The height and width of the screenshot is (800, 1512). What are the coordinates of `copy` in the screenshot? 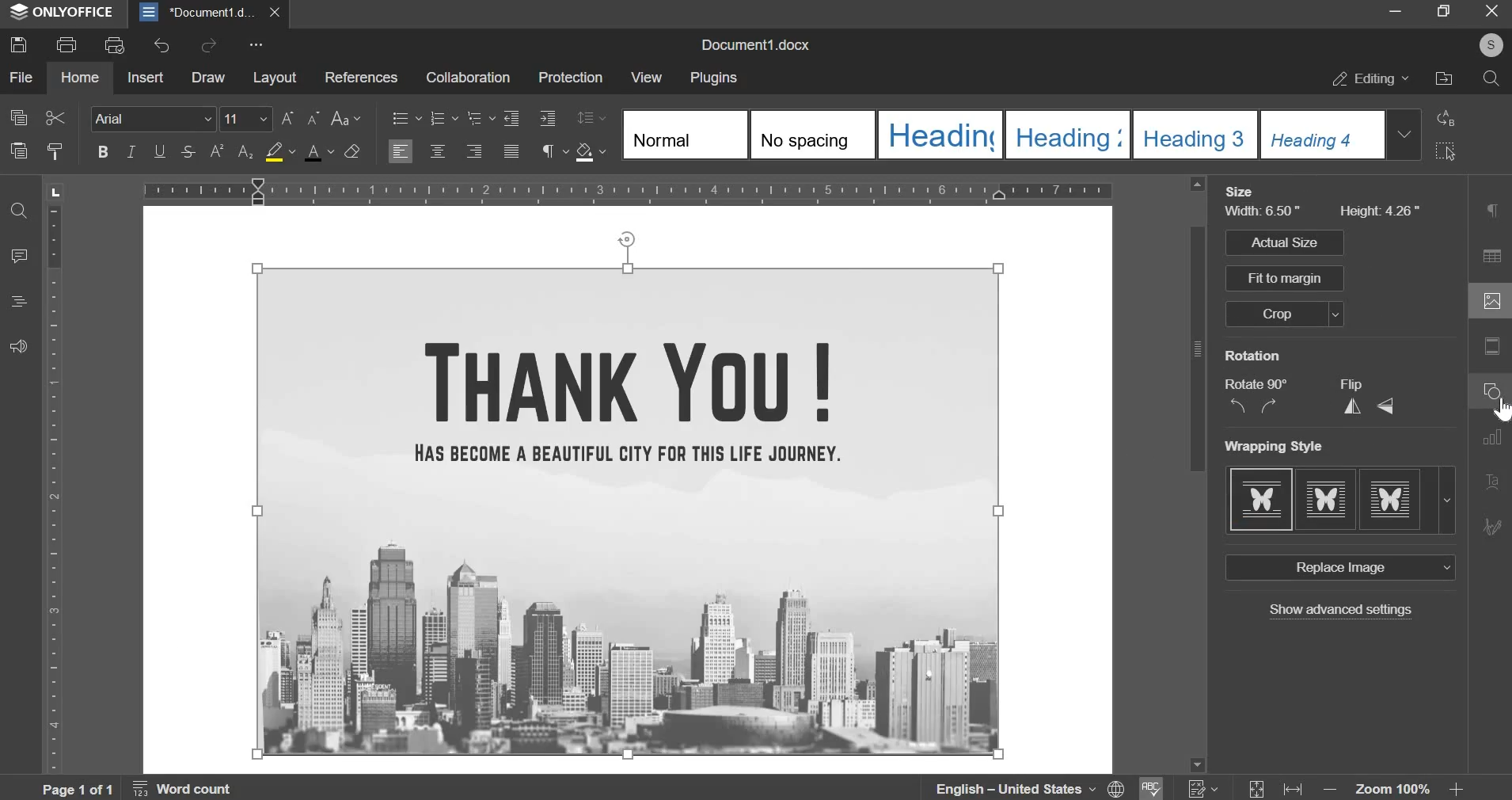 It's located at (18, 117).